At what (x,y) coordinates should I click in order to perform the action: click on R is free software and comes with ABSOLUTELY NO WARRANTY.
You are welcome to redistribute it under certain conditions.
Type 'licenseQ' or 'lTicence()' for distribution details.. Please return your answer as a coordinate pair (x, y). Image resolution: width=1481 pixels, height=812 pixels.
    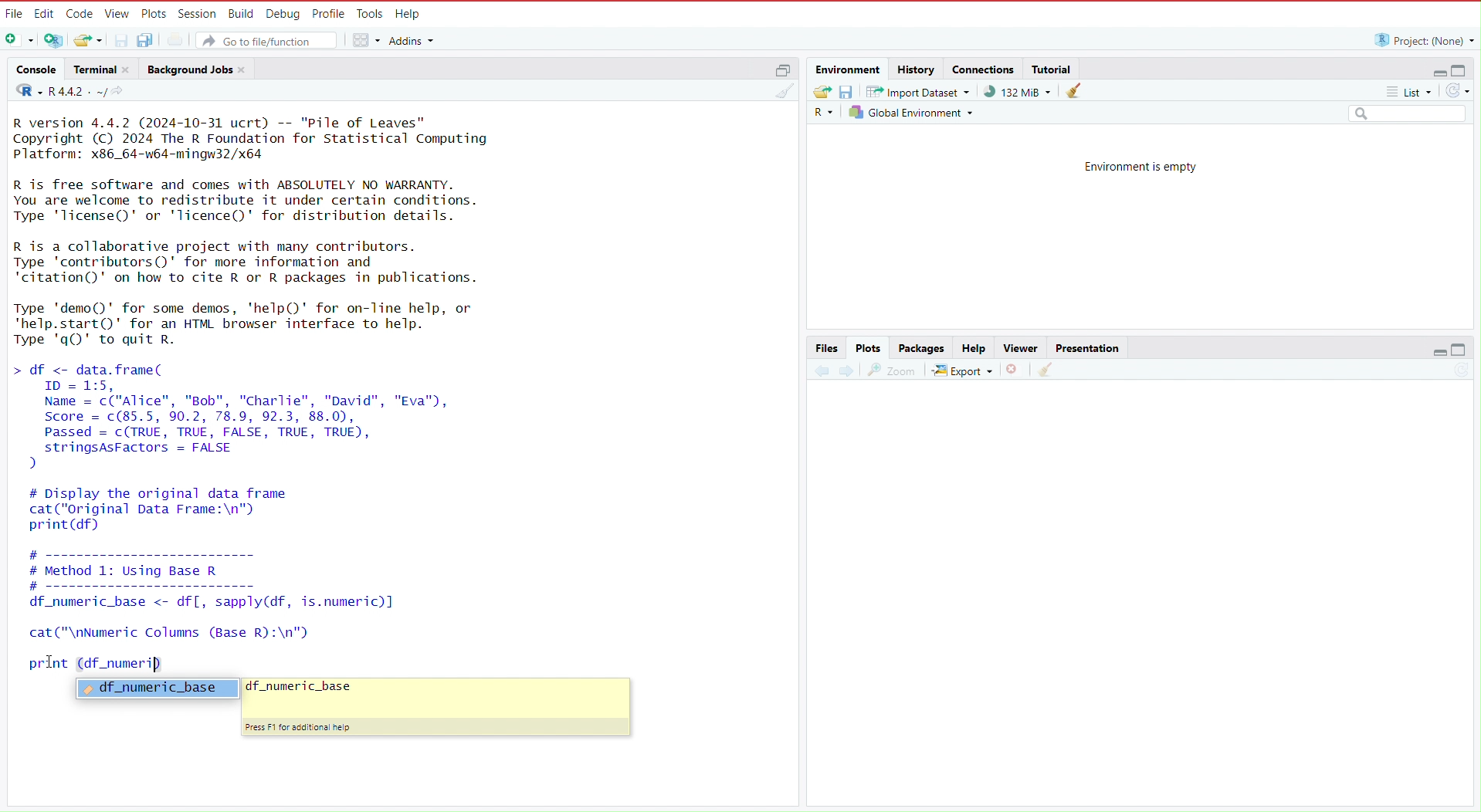
    Looking at the image, I should click on (250, 201).